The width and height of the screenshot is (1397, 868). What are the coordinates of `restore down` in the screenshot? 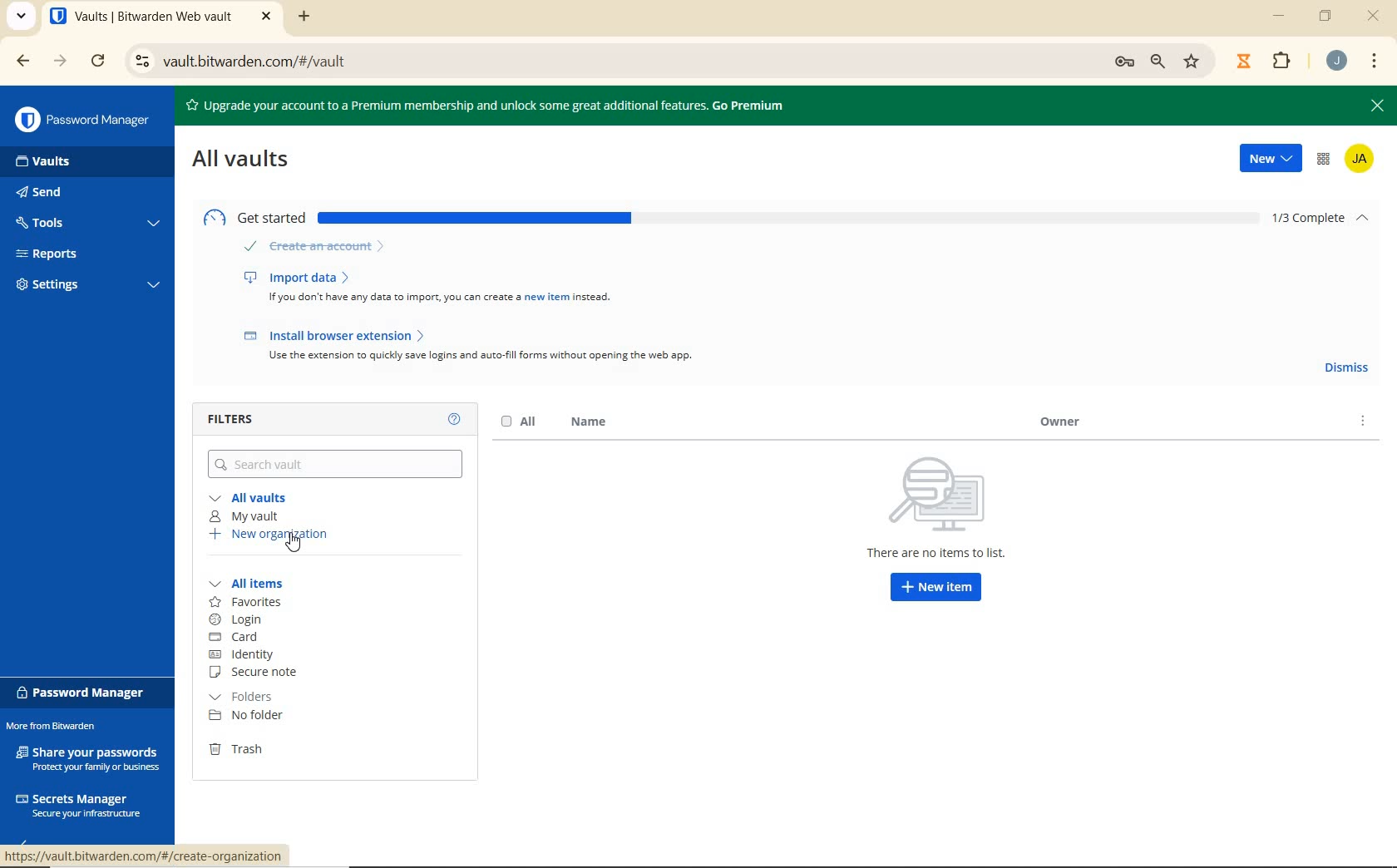 It's located at (1328, 16).